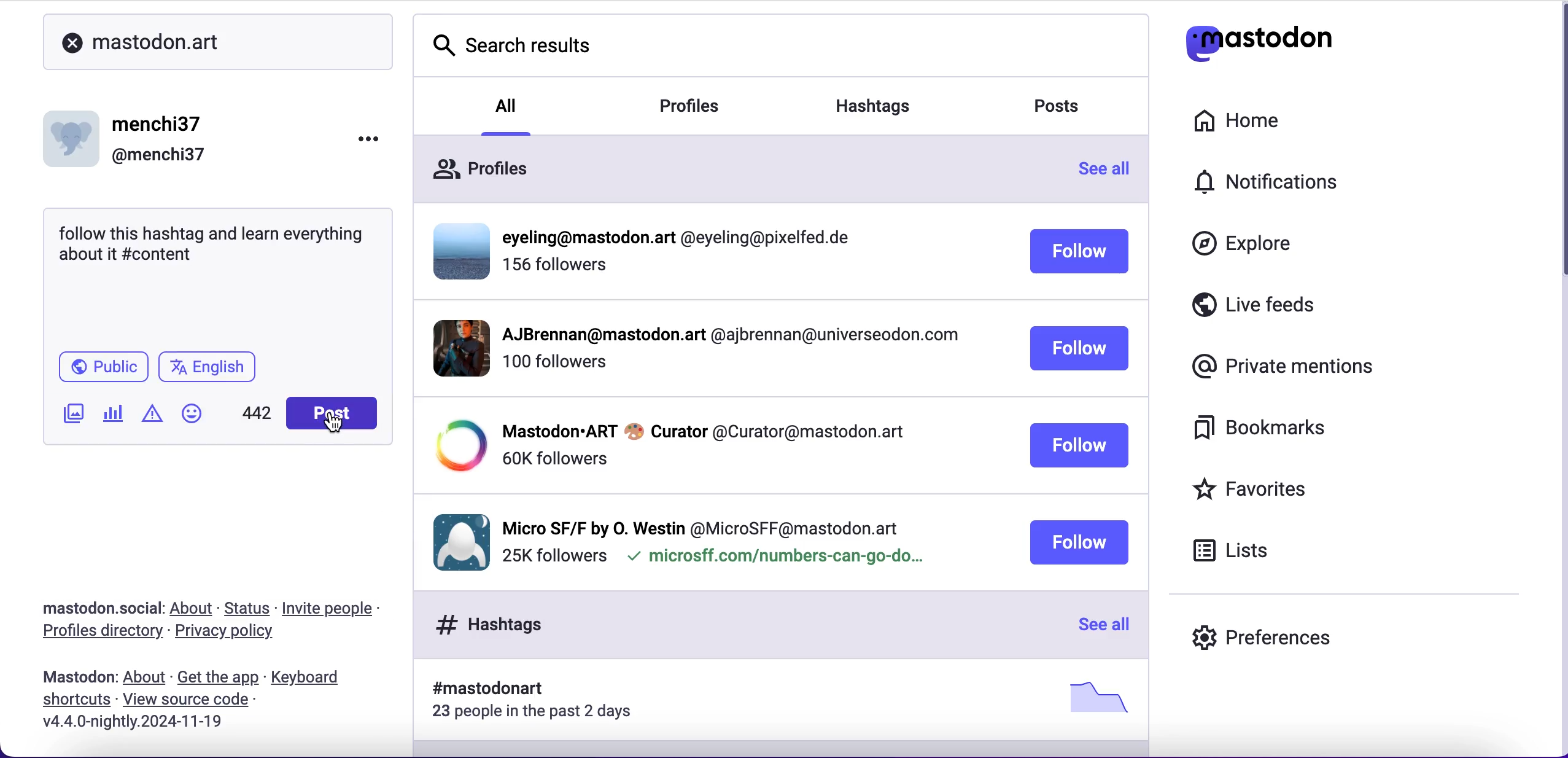  I want to click on mastodon.social, so click(96, 606).